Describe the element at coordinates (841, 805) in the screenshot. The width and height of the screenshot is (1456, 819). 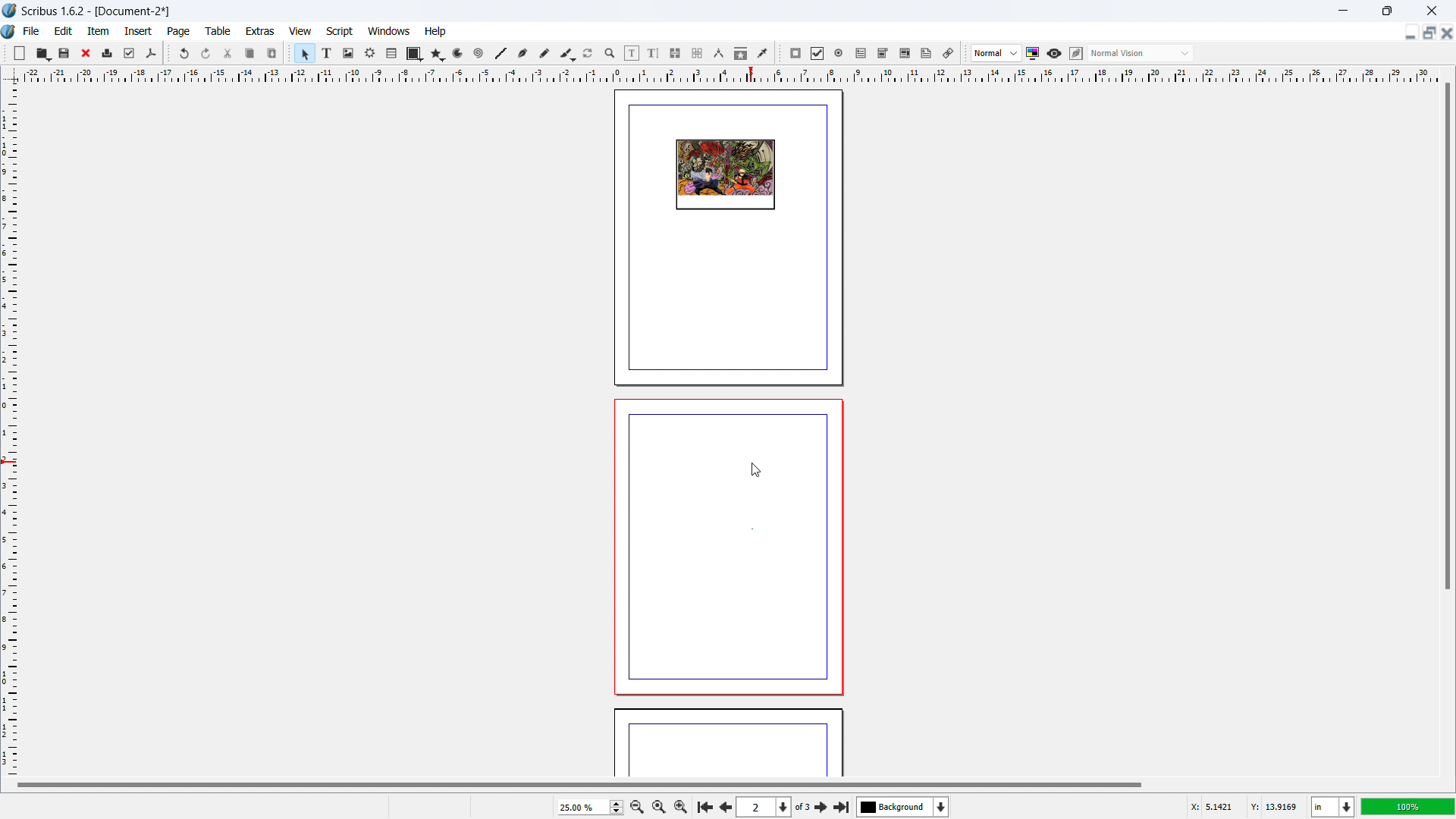
I see `last page` at that location.